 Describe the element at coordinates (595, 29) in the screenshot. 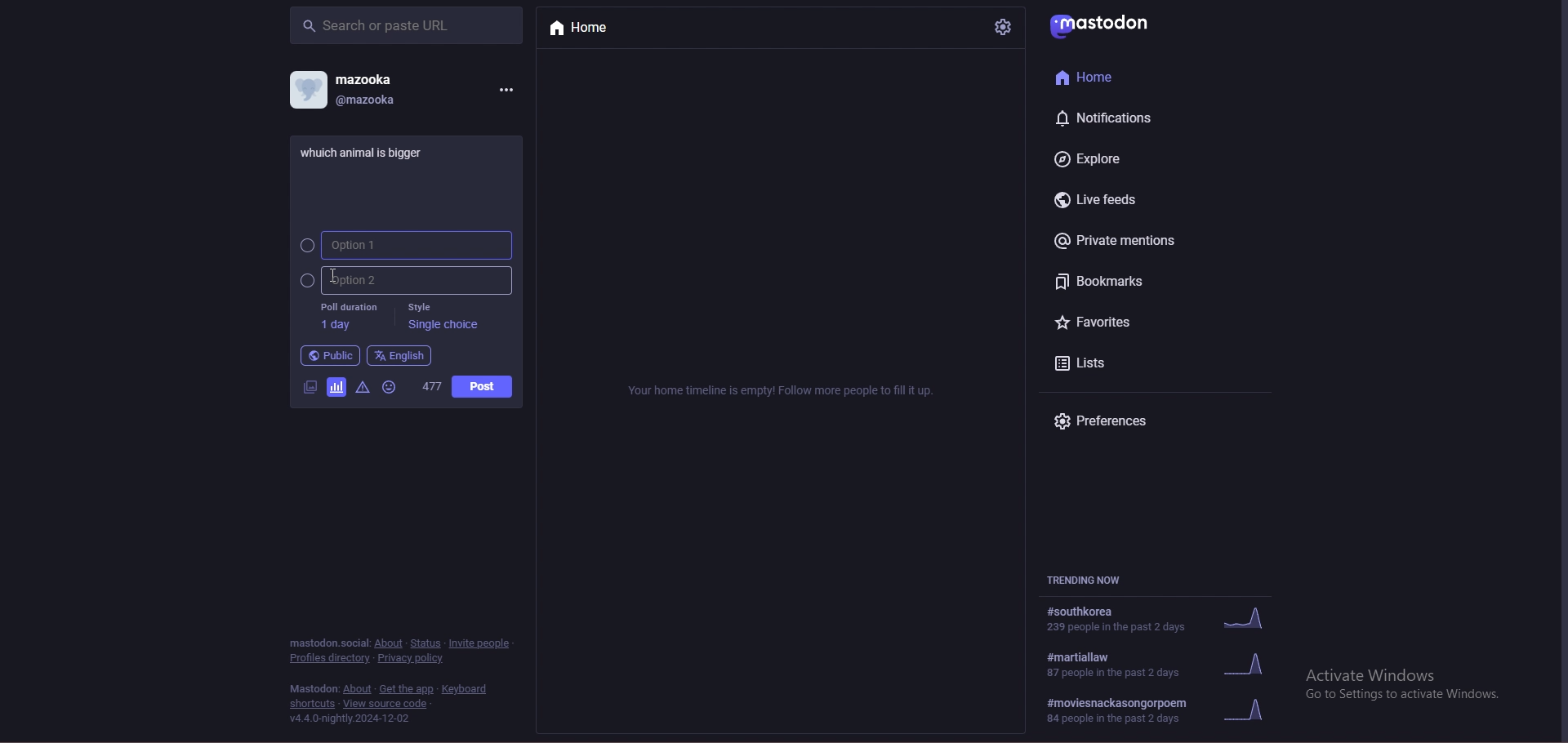

I see `home` at that location.